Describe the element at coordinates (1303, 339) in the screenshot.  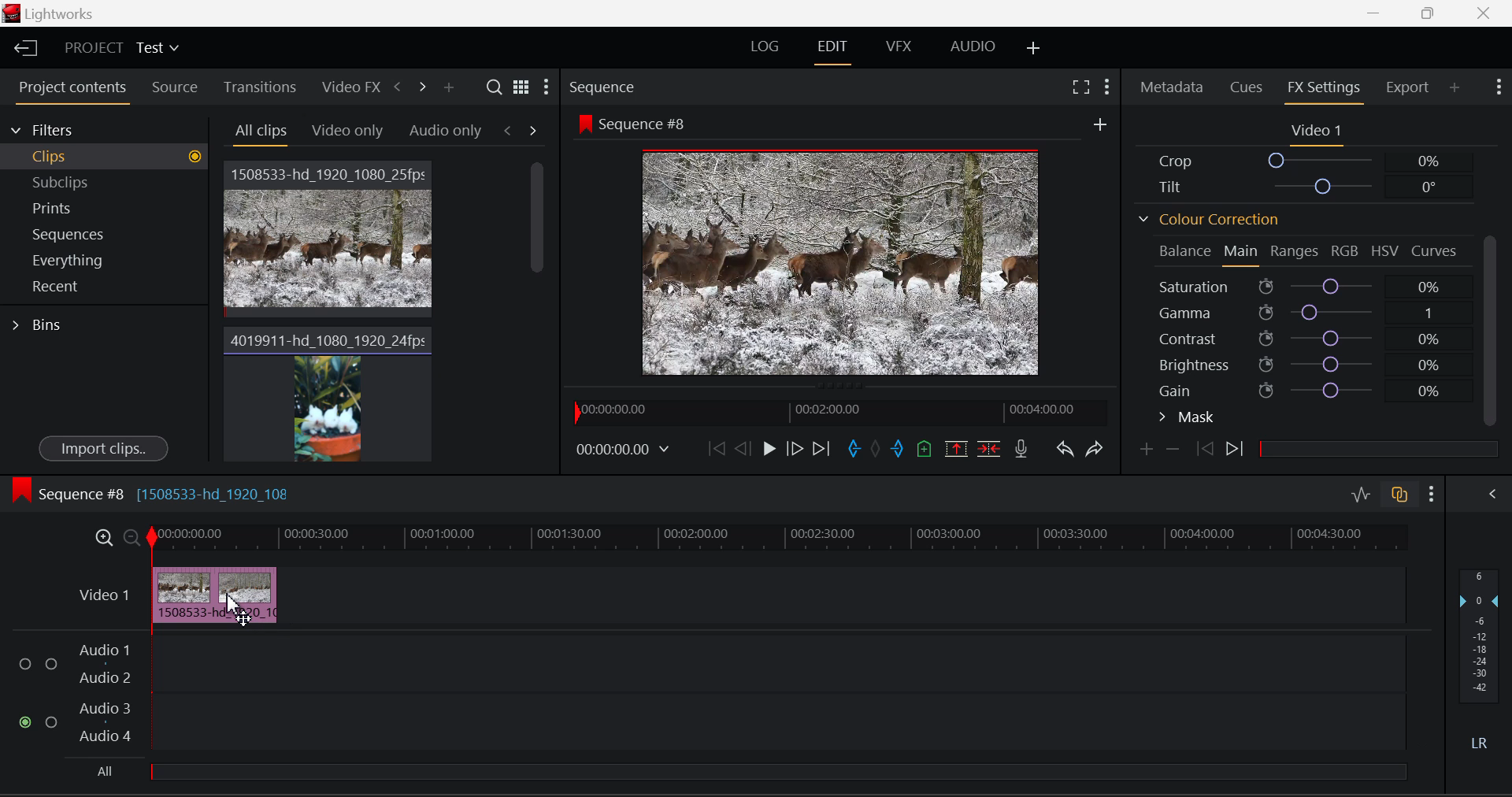
I see `Contrast` at that location.